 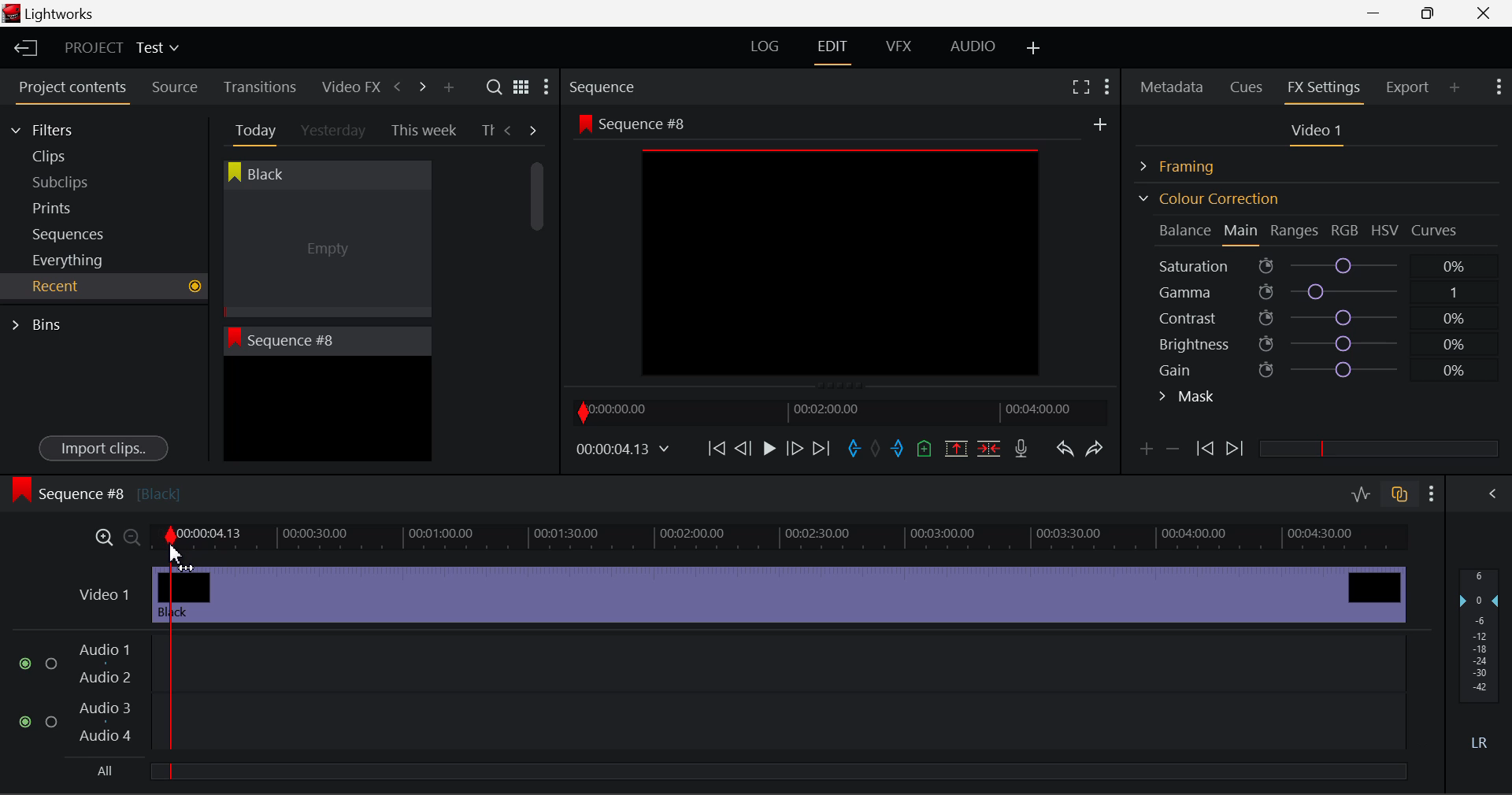 What do you see at coordinates (76, 182) in the screenshot?
I see `Subclips` at bounding box center [76, 182].